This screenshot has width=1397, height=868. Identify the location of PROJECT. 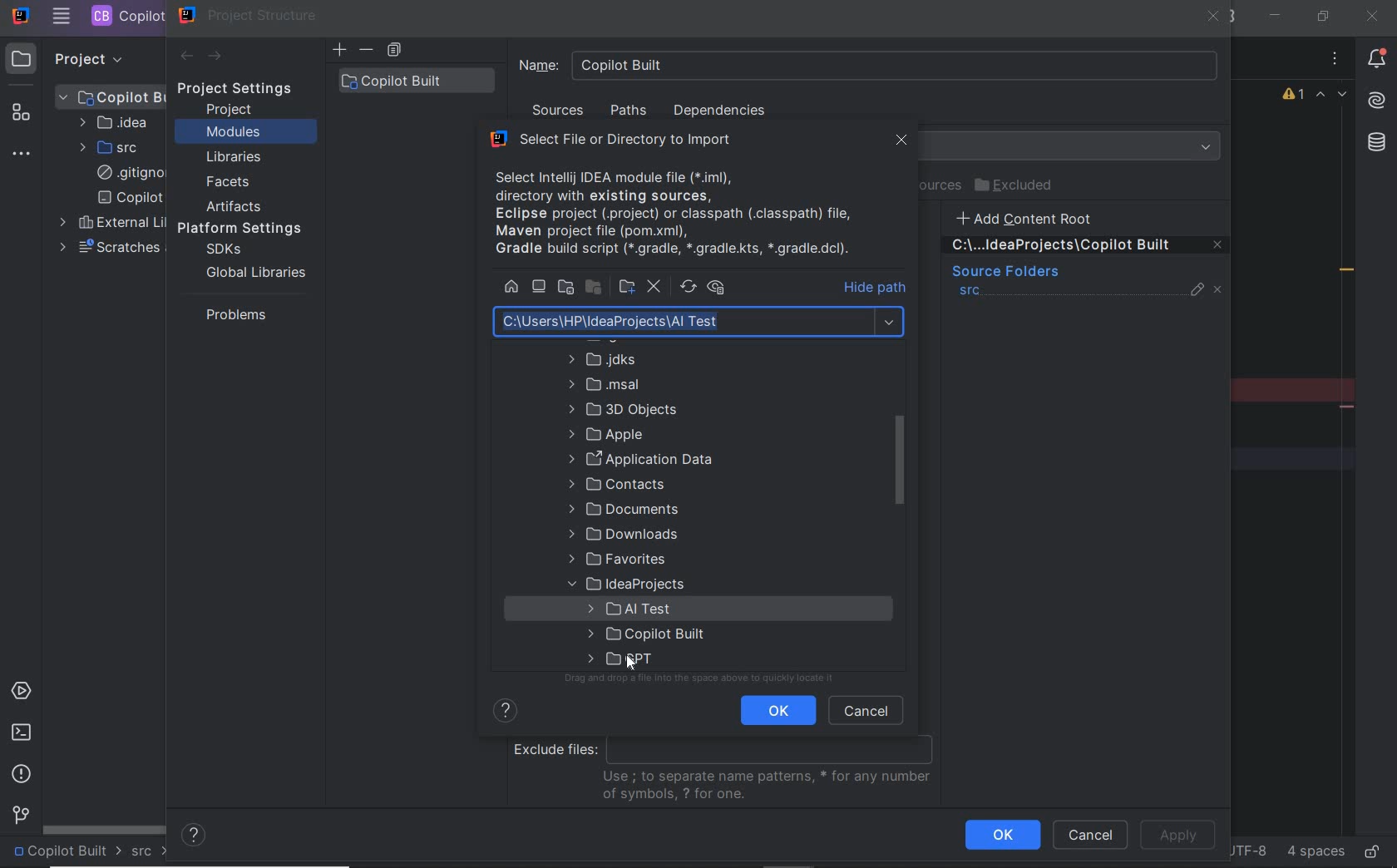
(74, 58).